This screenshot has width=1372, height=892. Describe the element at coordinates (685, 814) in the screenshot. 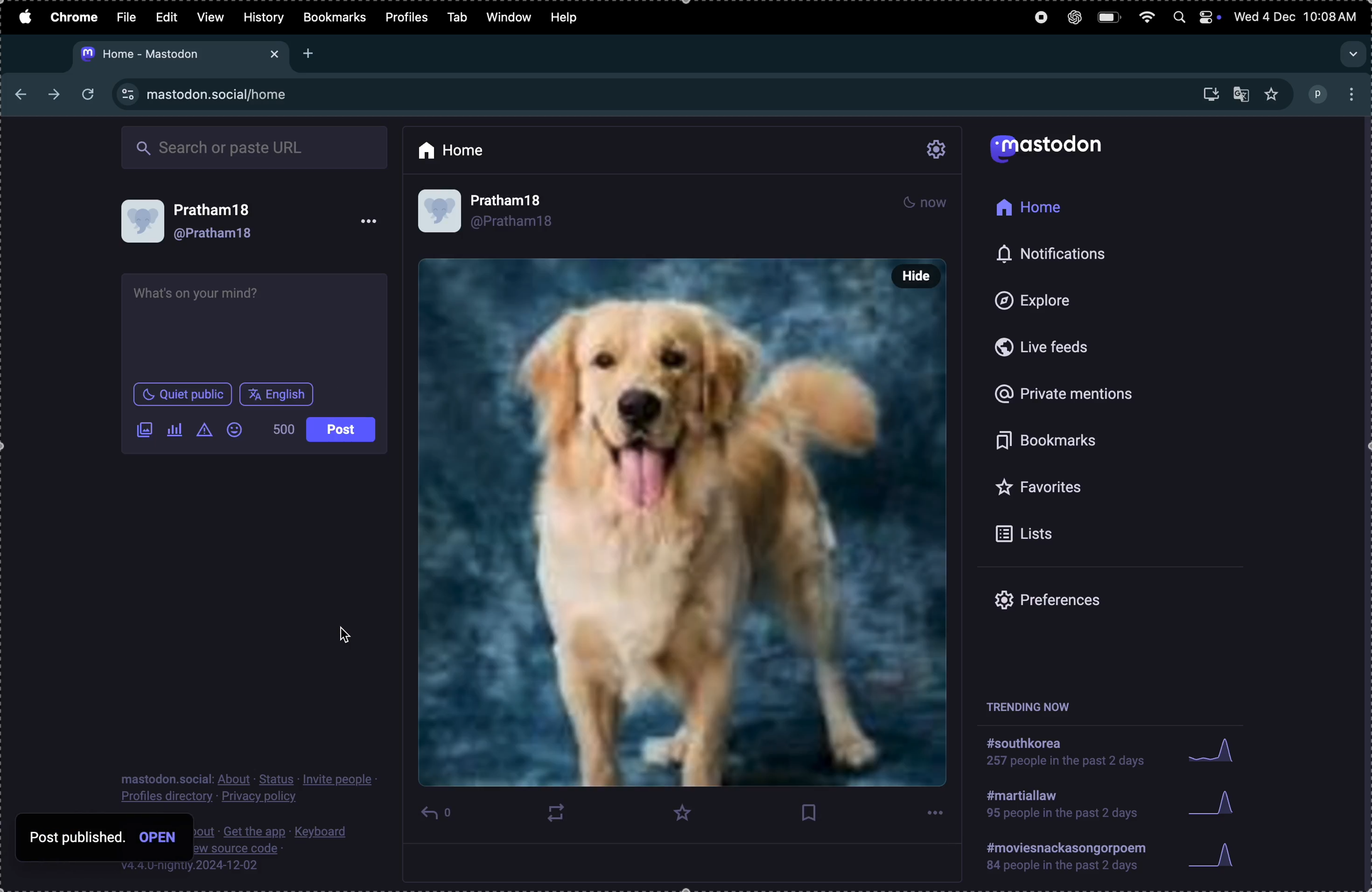

I see `favourite` at that location.